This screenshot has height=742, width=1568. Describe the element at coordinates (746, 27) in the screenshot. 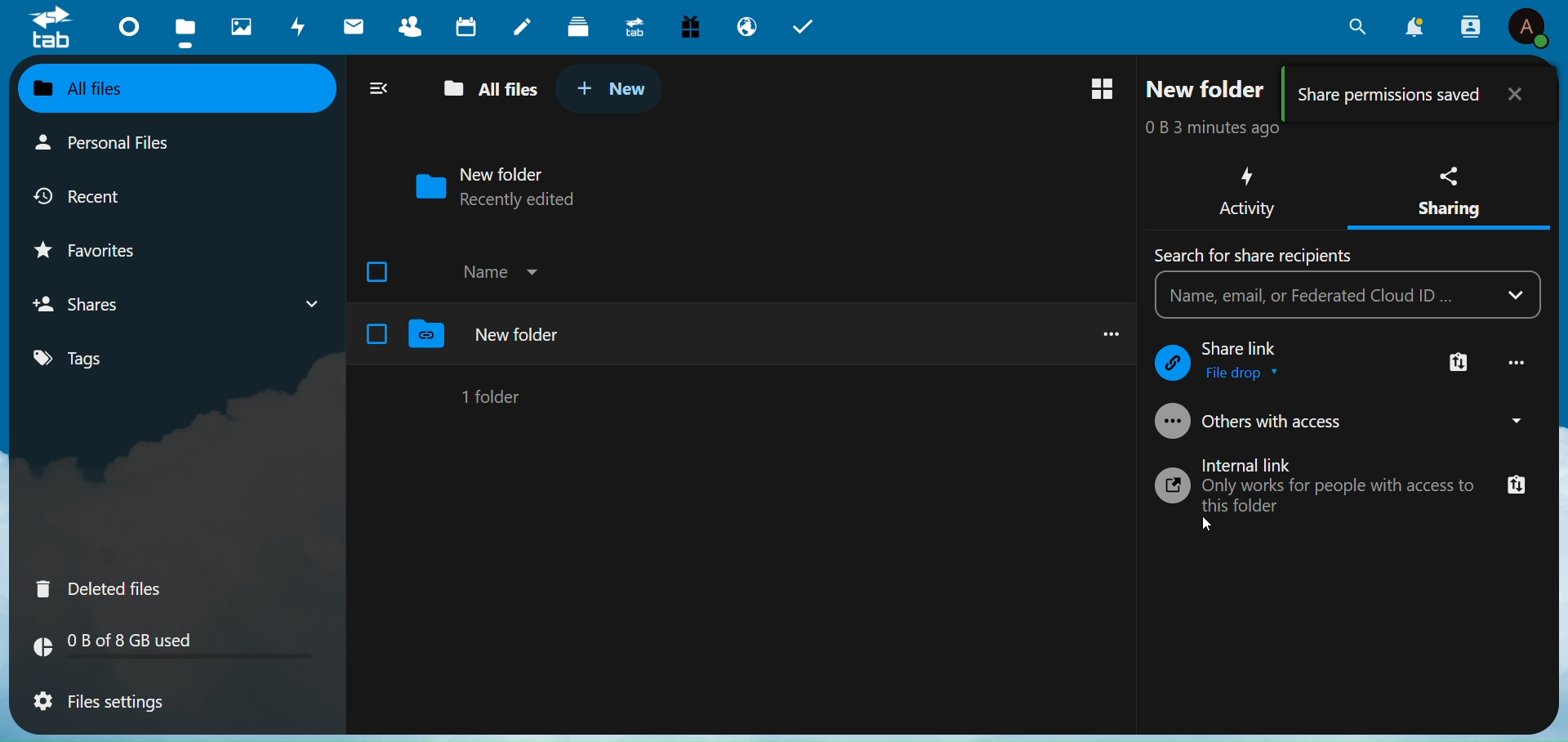

I see `Email Hosting` at that location.